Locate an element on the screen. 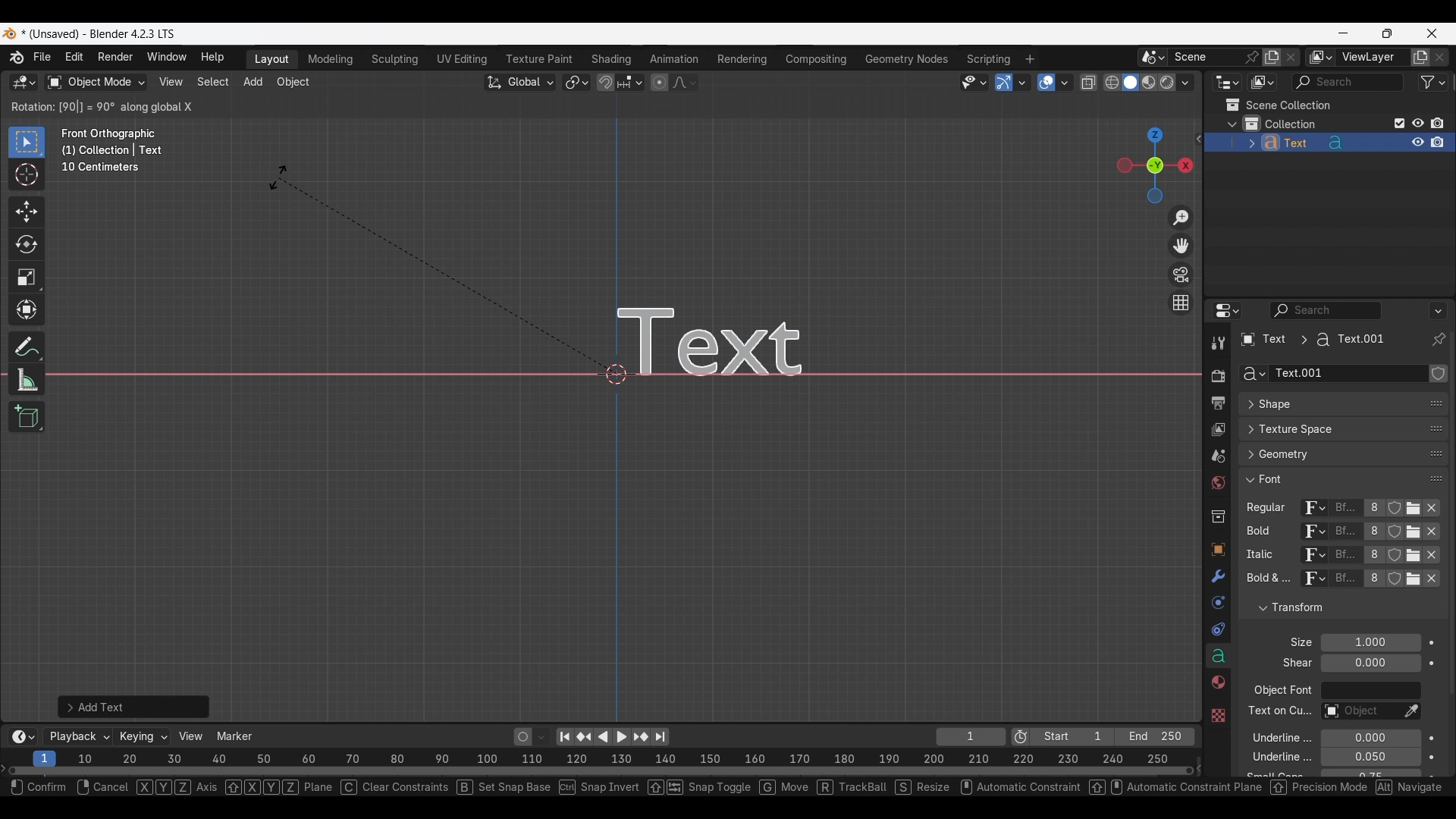 This screenshot has height=819, width=1456. Text view changed due to change in rotation is located at coordinates (733, 337).